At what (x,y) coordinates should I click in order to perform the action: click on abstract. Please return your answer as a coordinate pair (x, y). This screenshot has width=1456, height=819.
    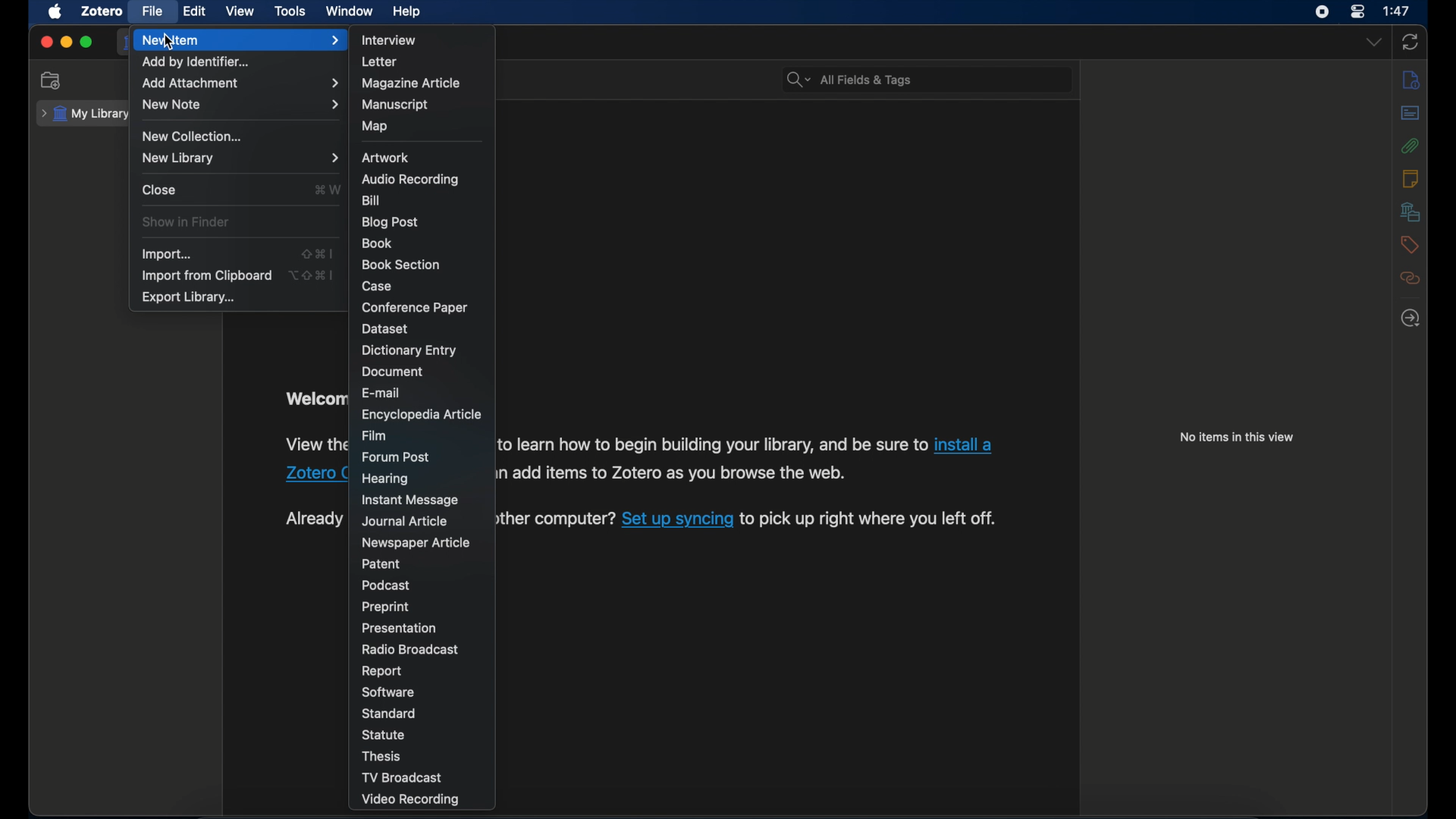
    Looking at the image, I should click on (1411, 114).